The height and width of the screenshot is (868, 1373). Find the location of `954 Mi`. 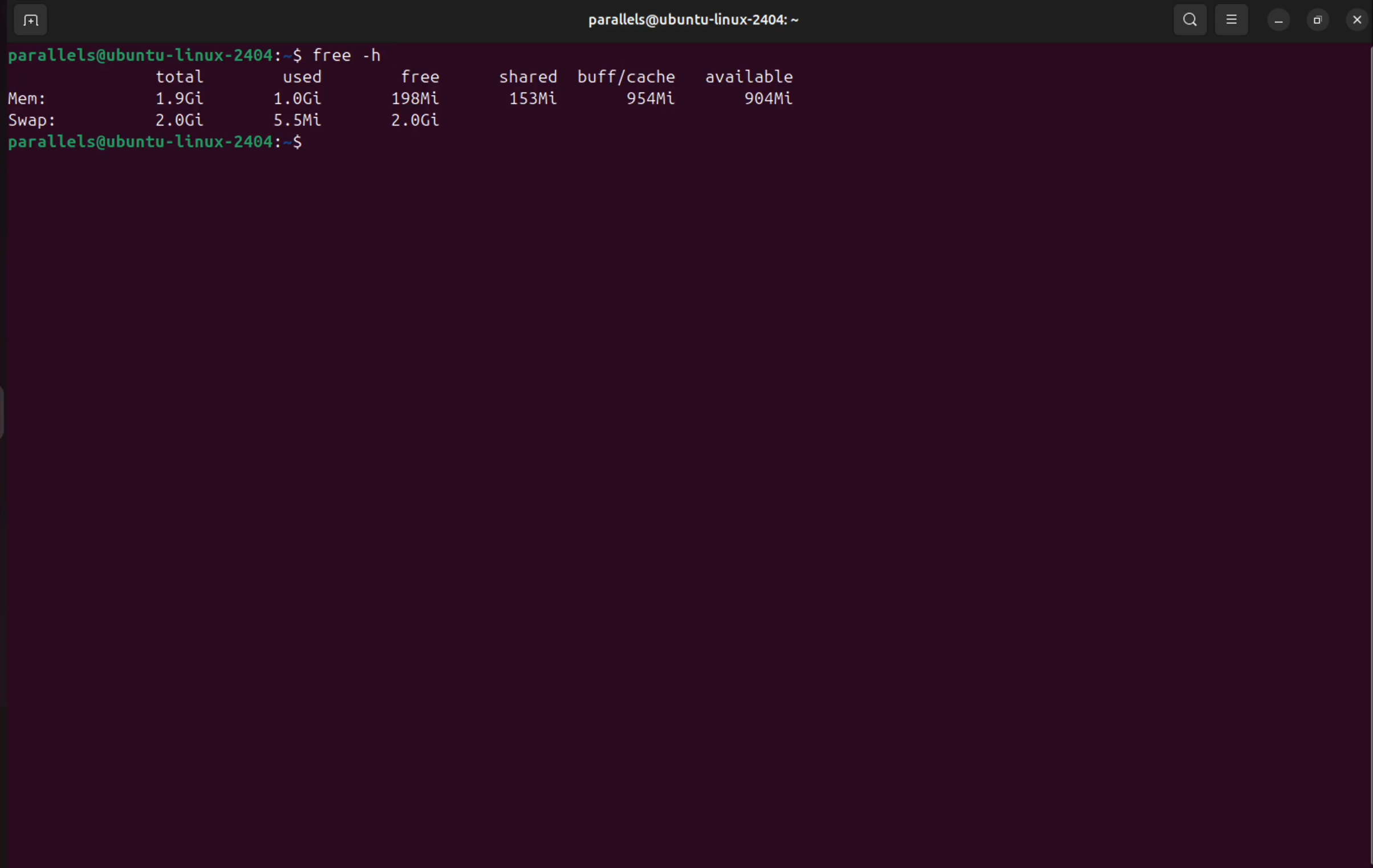

954 Mi is located at coordinates (652, 100).